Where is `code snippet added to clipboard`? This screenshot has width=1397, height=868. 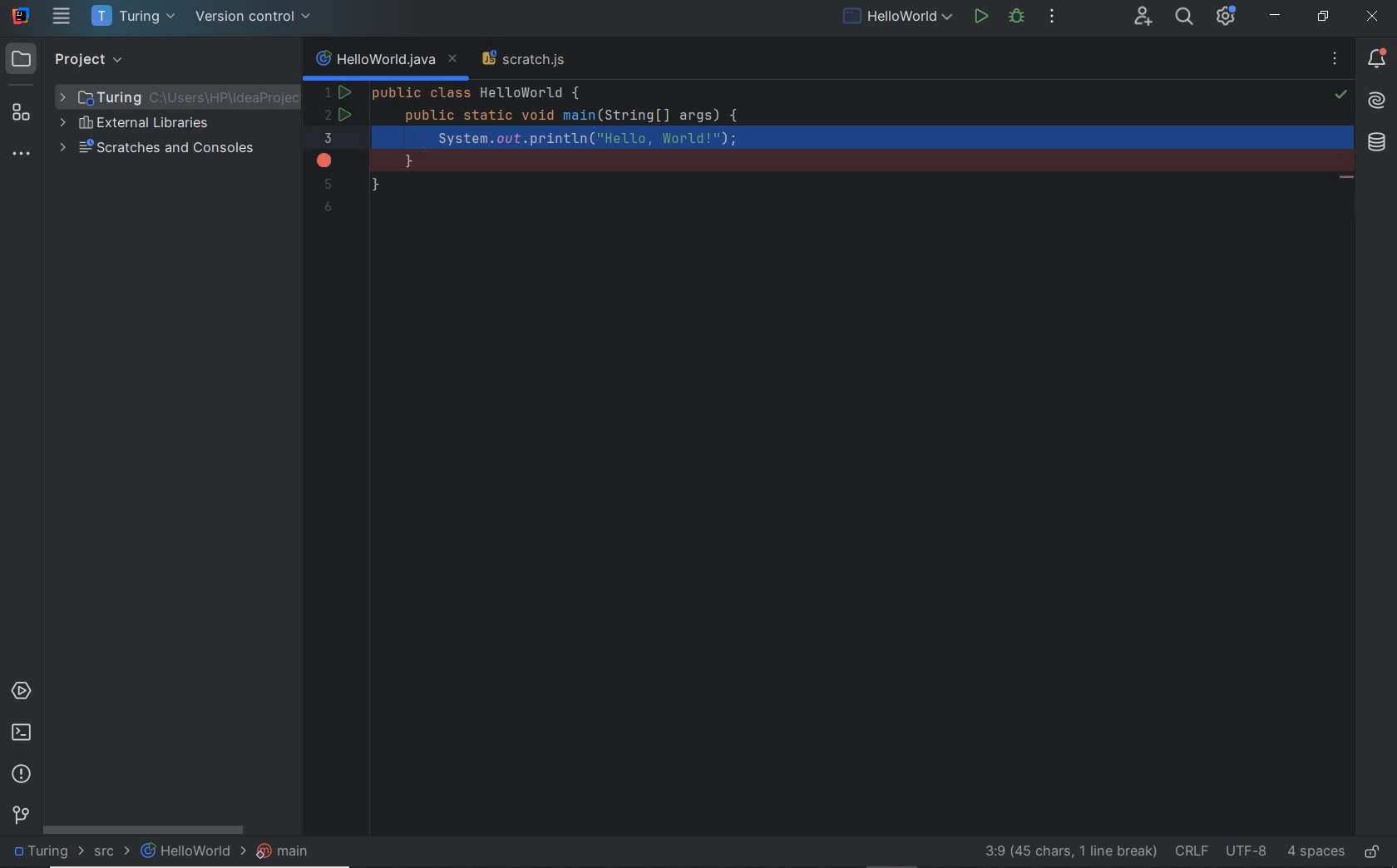
code snippet added to clipboard is located at coordinates (898, 136).